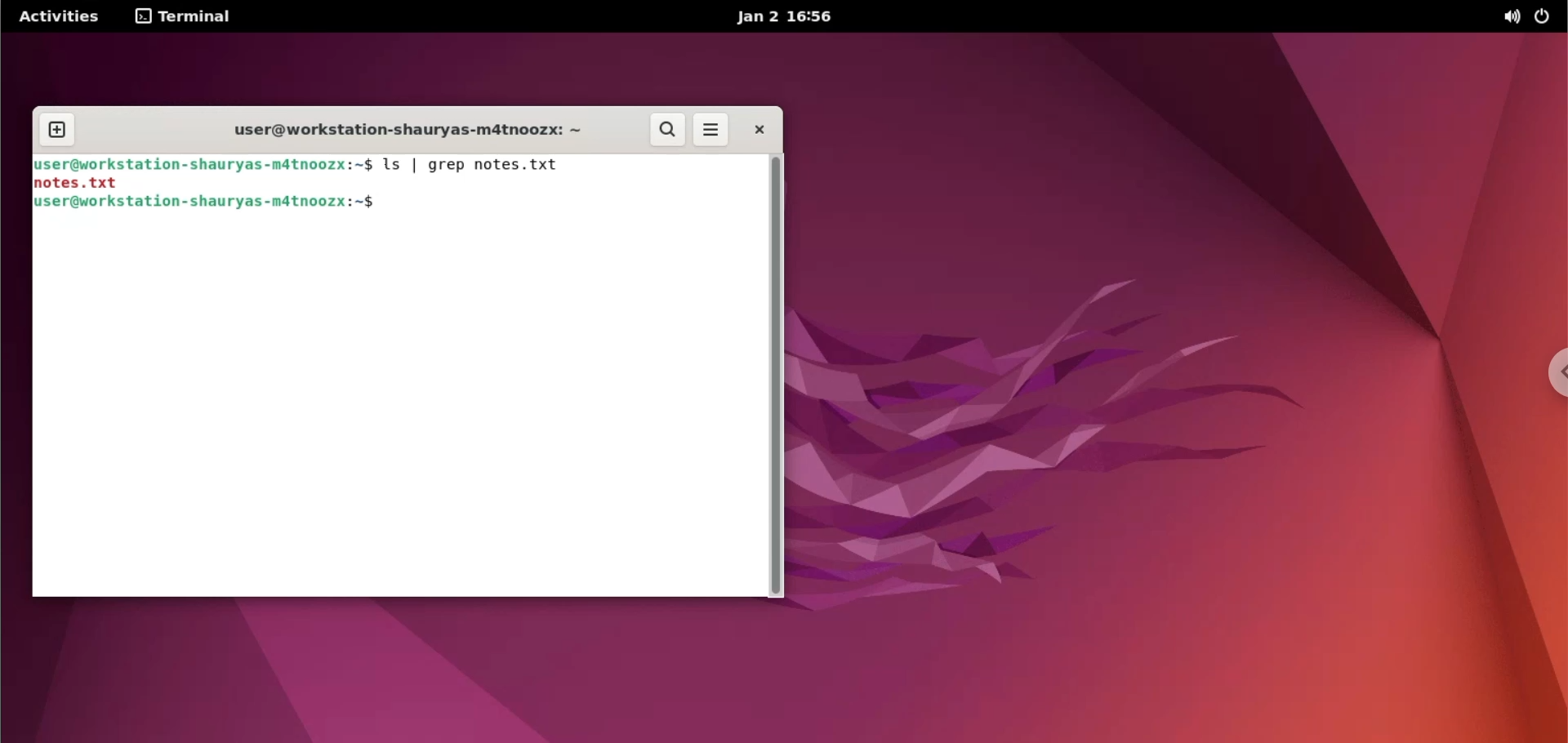 This screenshot has width=1568, height=743. Describe the element at coordinates (1550, 380) in the screenshot. I see `chrome options` at that location.